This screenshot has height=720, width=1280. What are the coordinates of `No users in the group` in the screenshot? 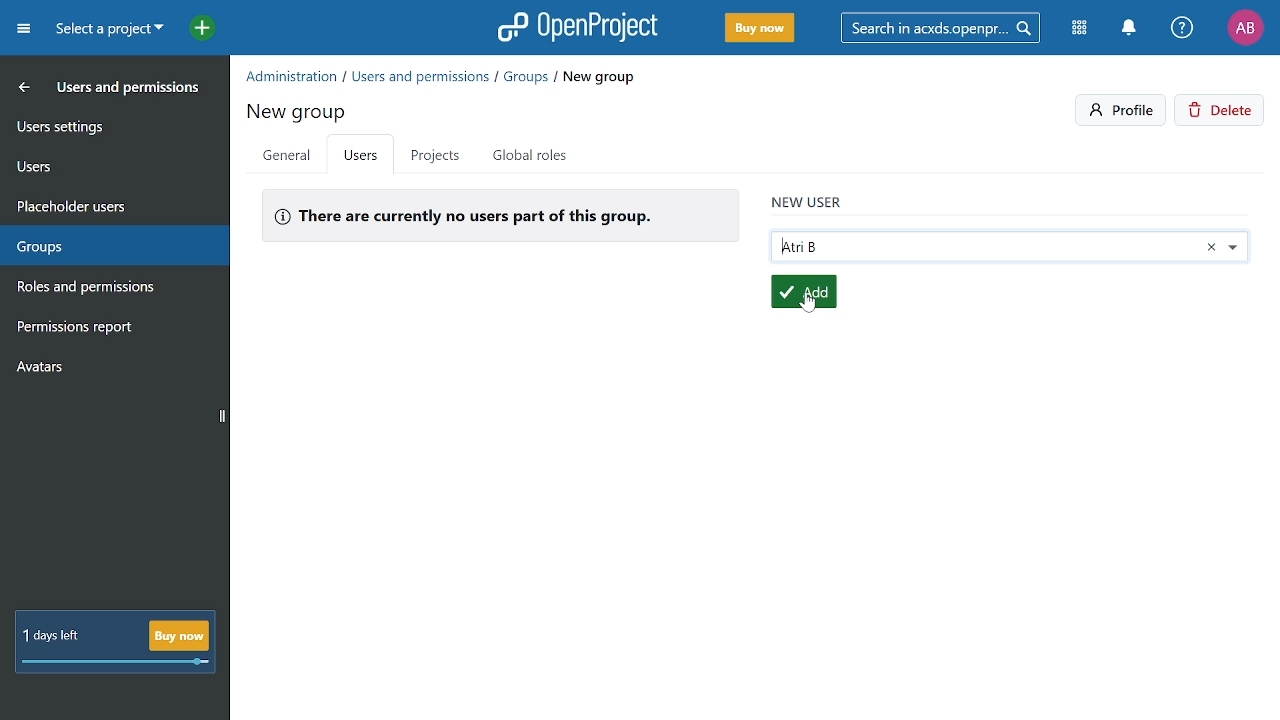 It's located at (499, 214).